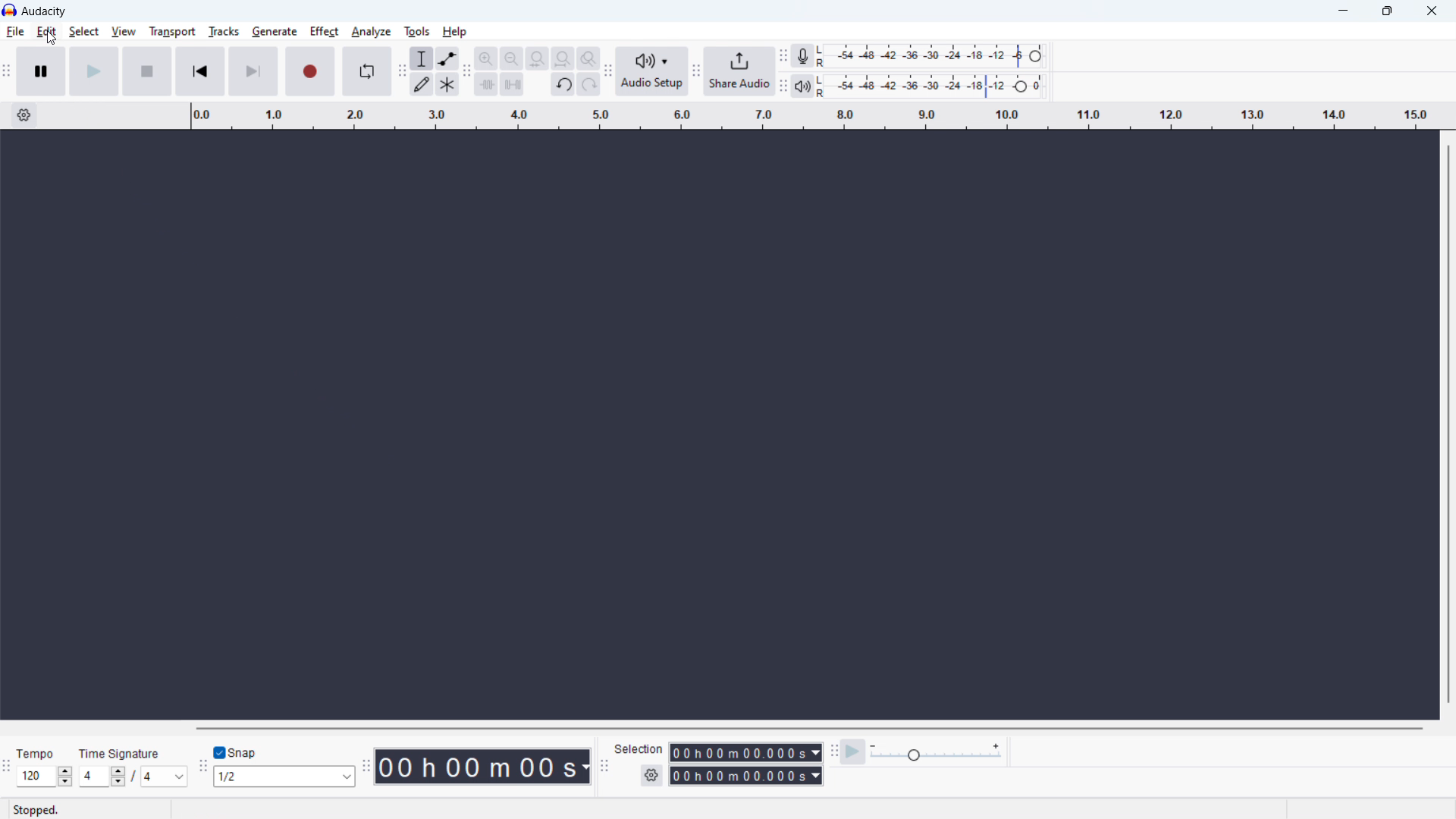 This screenshot has width=1456, height=819. I want to click on select, so click(84, 32).